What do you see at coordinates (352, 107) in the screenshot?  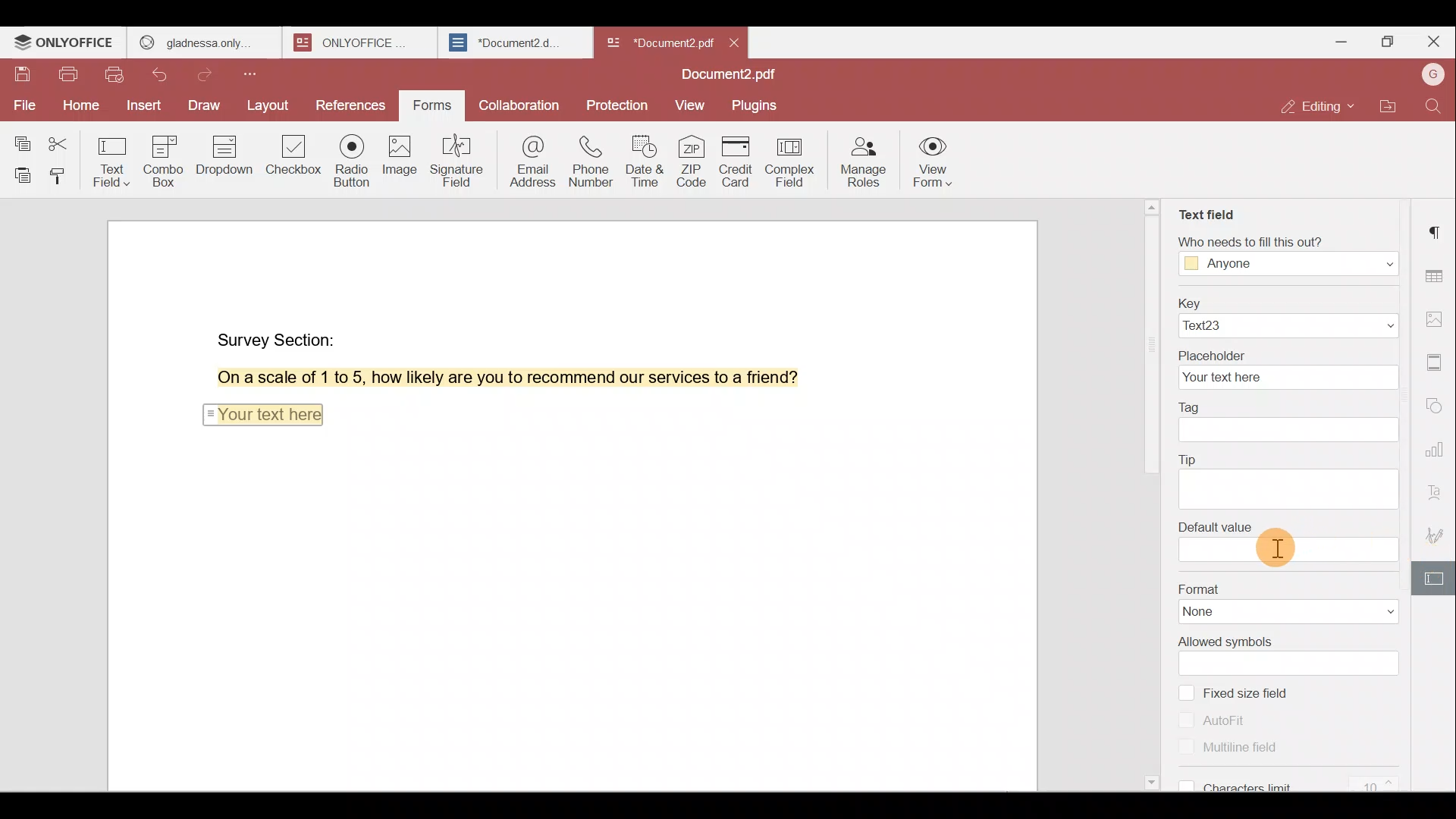 I see `References` at bounding box center [352, 107].